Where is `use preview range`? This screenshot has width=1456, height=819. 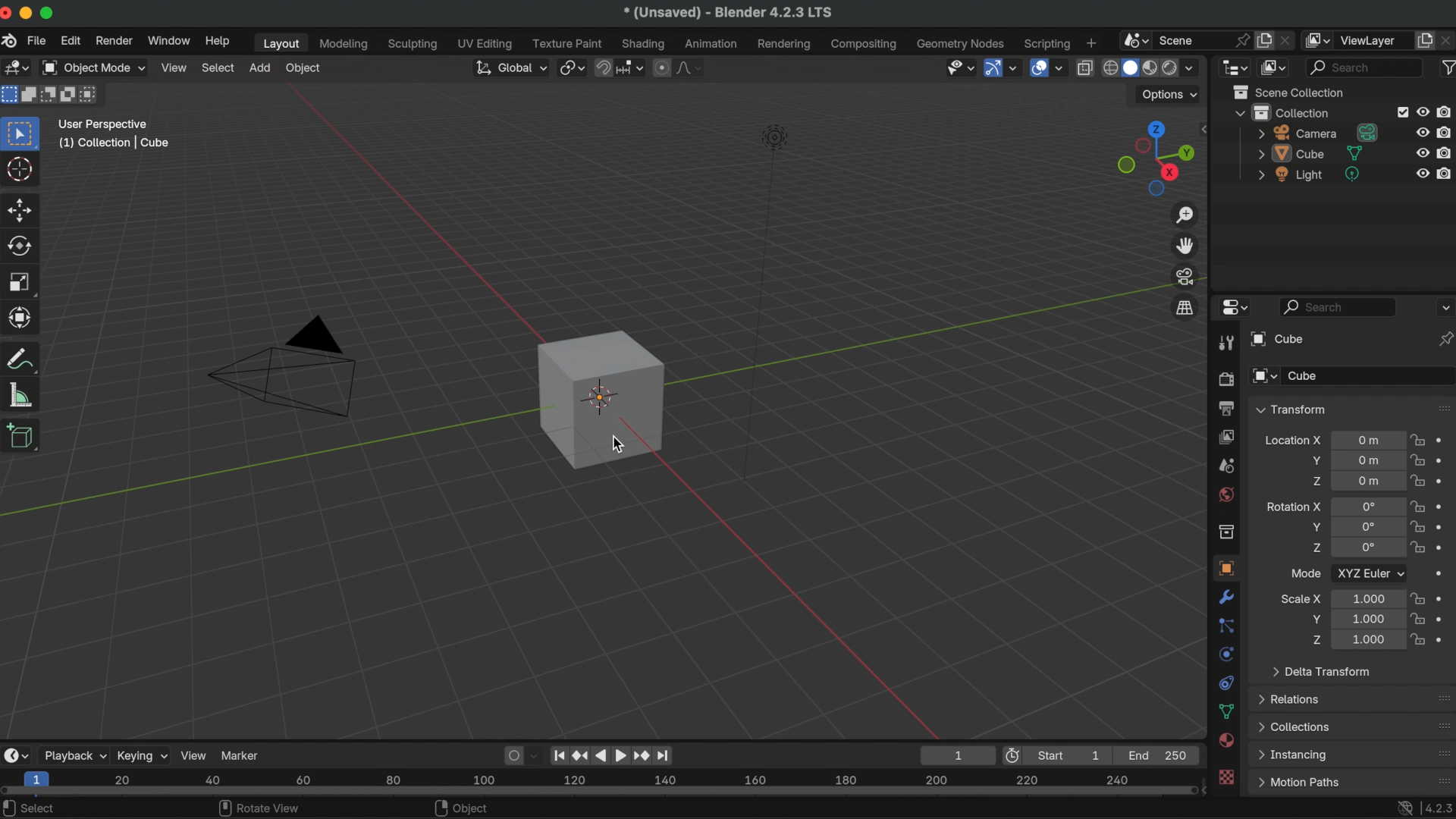
use preview range is located at coordinates (1015, 755).